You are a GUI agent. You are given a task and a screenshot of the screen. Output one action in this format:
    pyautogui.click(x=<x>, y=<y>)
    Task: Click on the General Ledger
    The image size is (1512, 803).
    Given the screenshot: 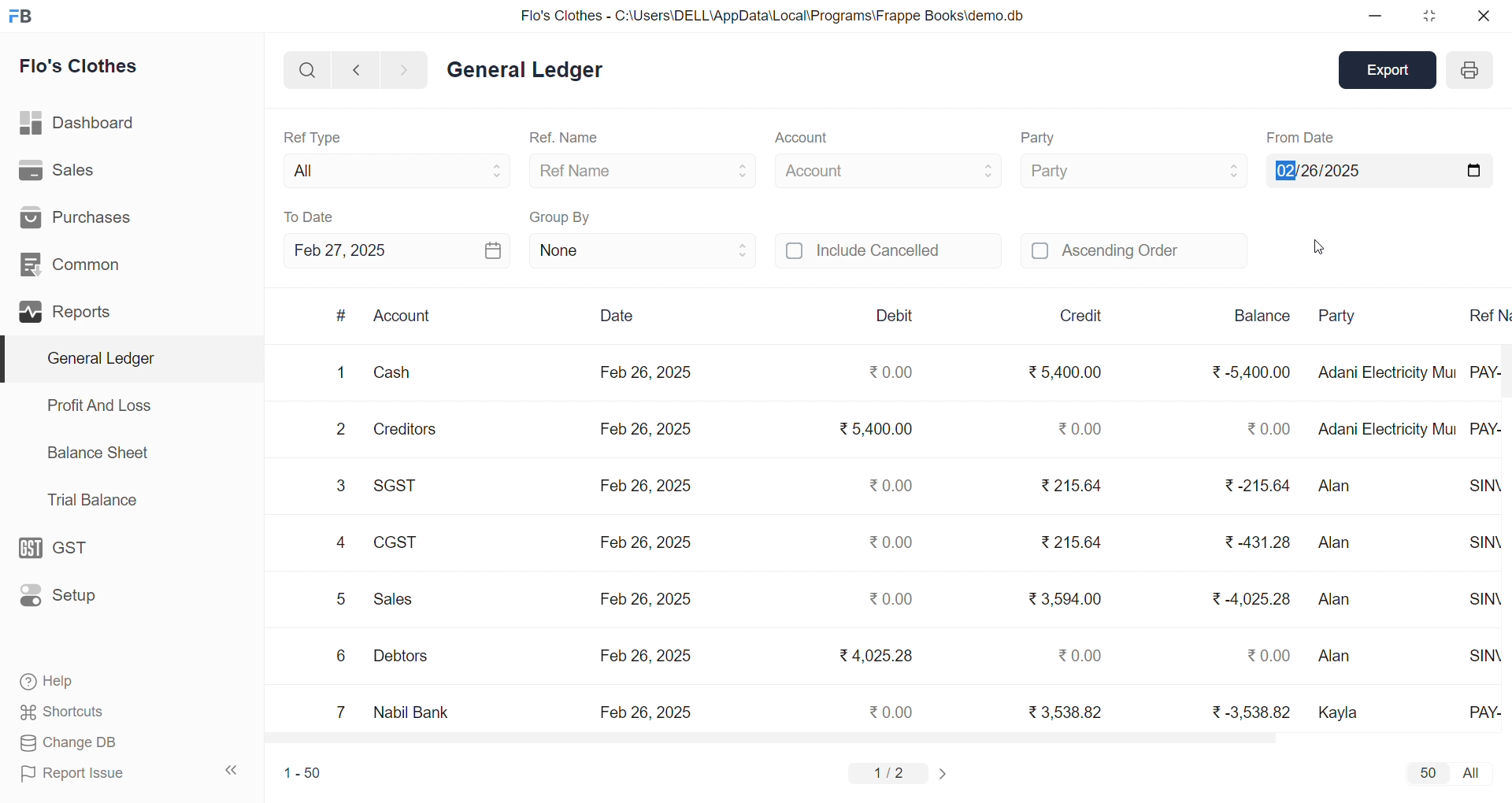 What is the action you would take?
    pyautogui.click(x=524, y=71)
    